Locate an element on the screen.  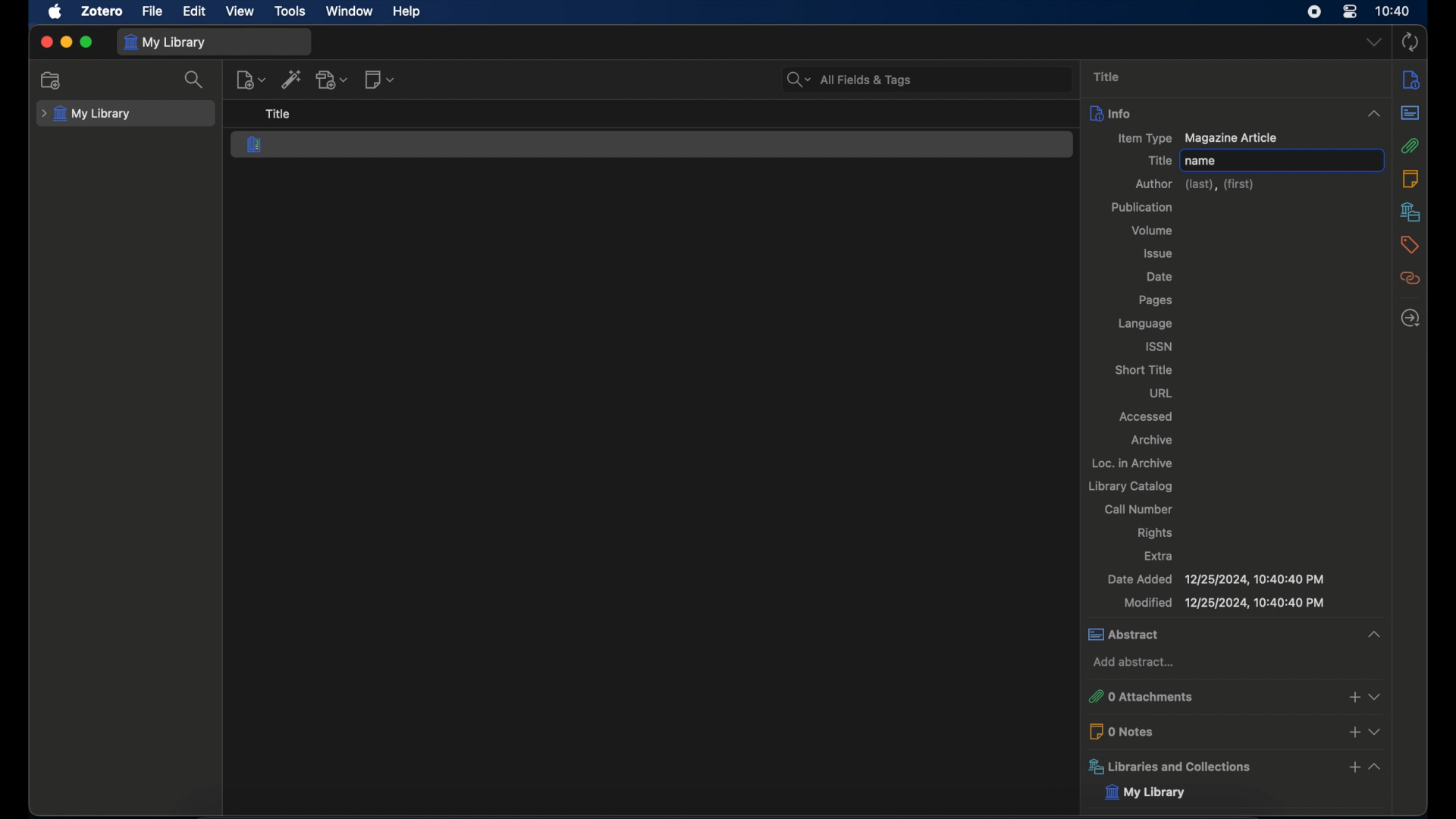
issue is located at coordinates (1159, 254).